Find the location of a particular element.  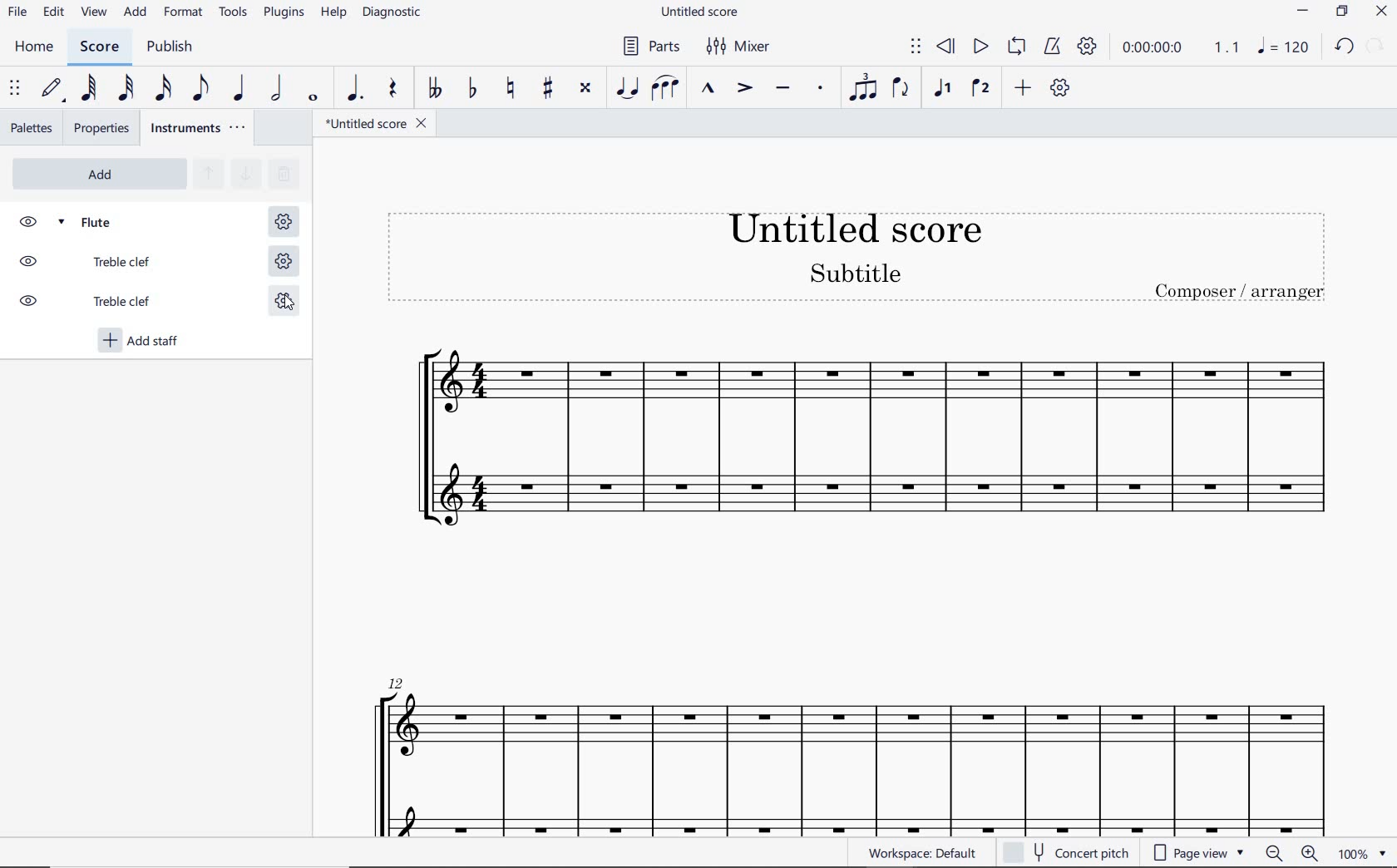

WORKSPACE: DEFAULT is located at coordinates (926, 853).